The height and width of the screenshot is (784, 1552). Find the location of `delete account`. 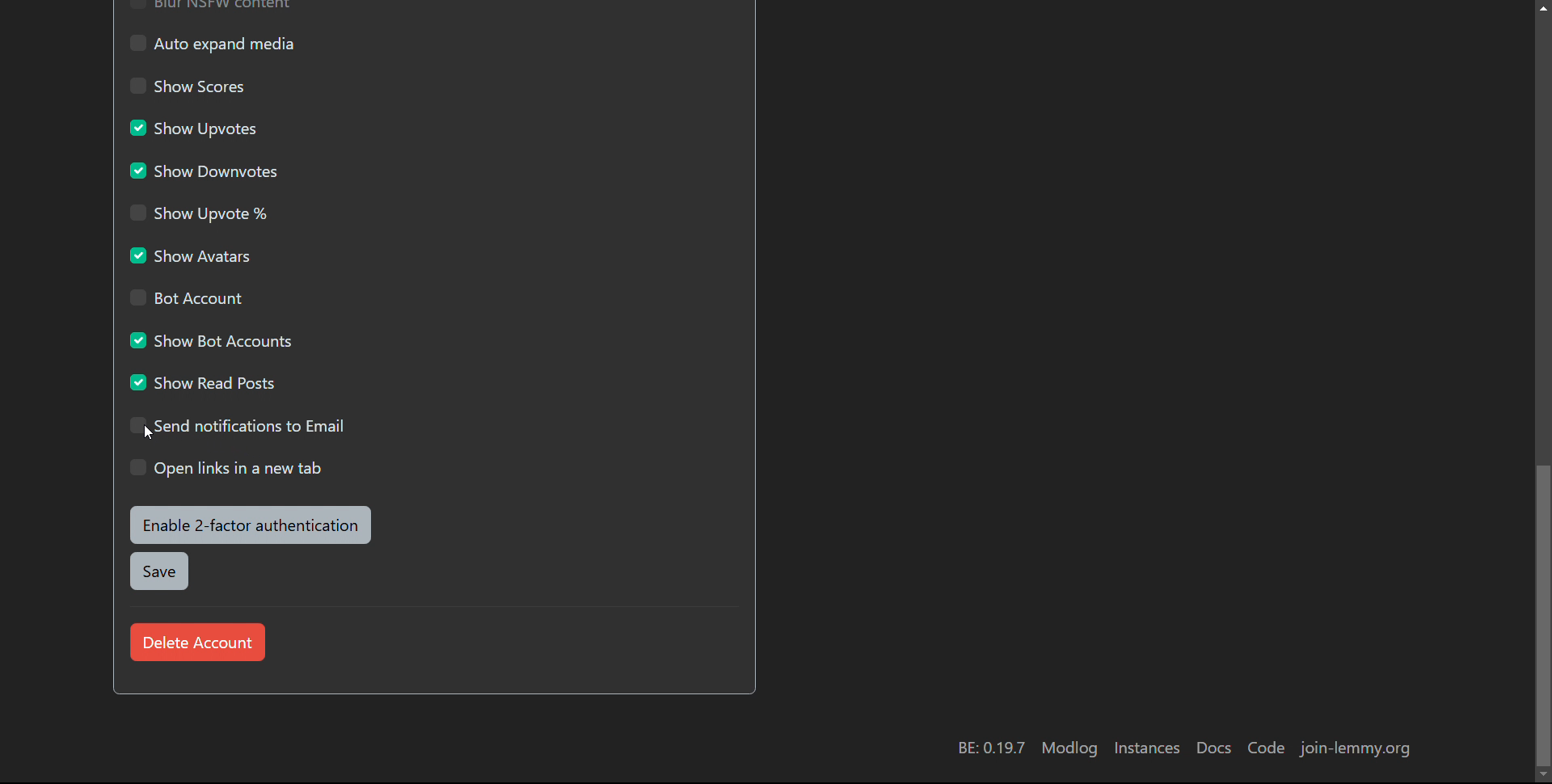

delete account is located at coordinates (196, 642).